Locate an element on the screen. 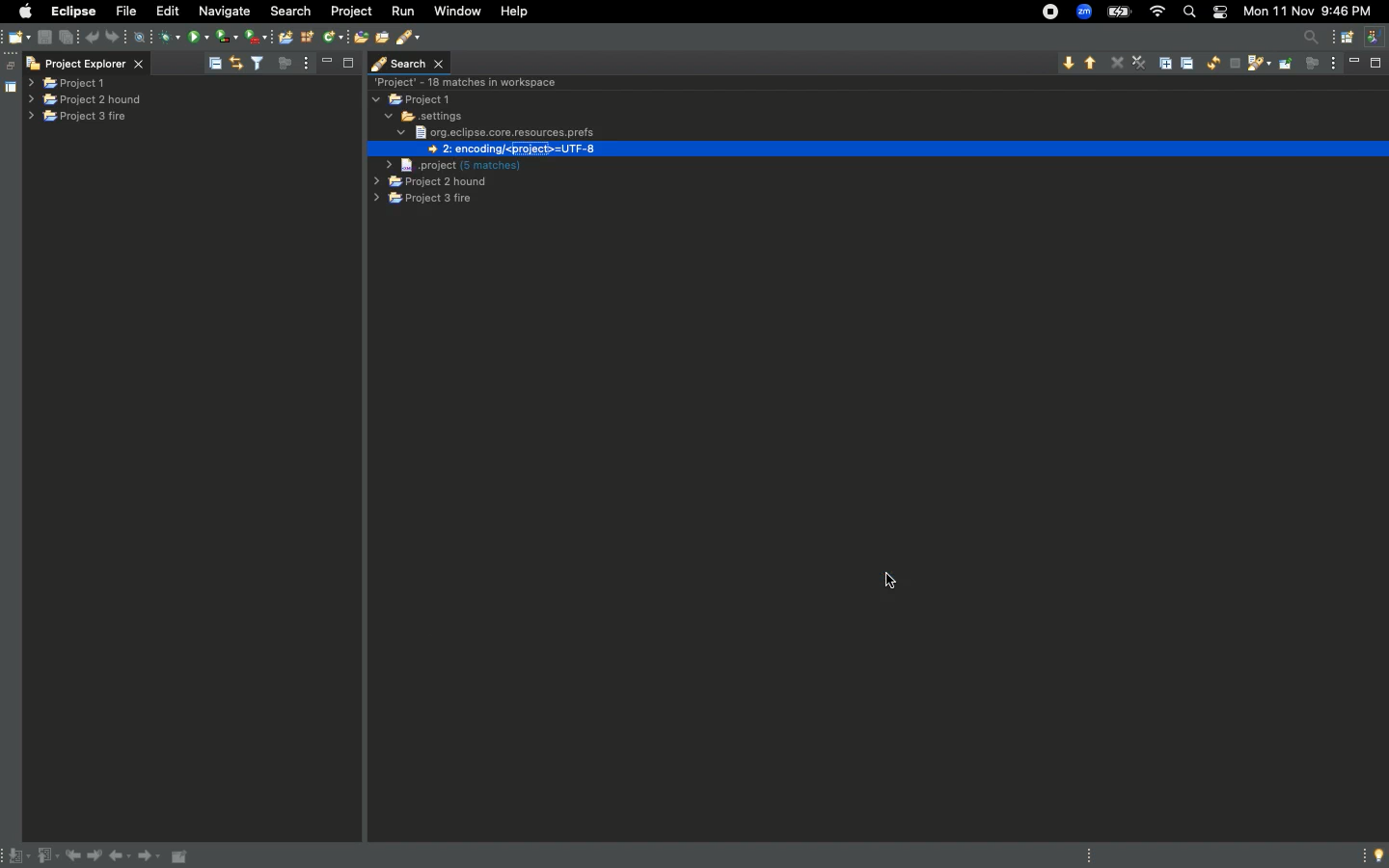 This screenshot has height=868, width=1389. open task is located at coordinates (382, 37).